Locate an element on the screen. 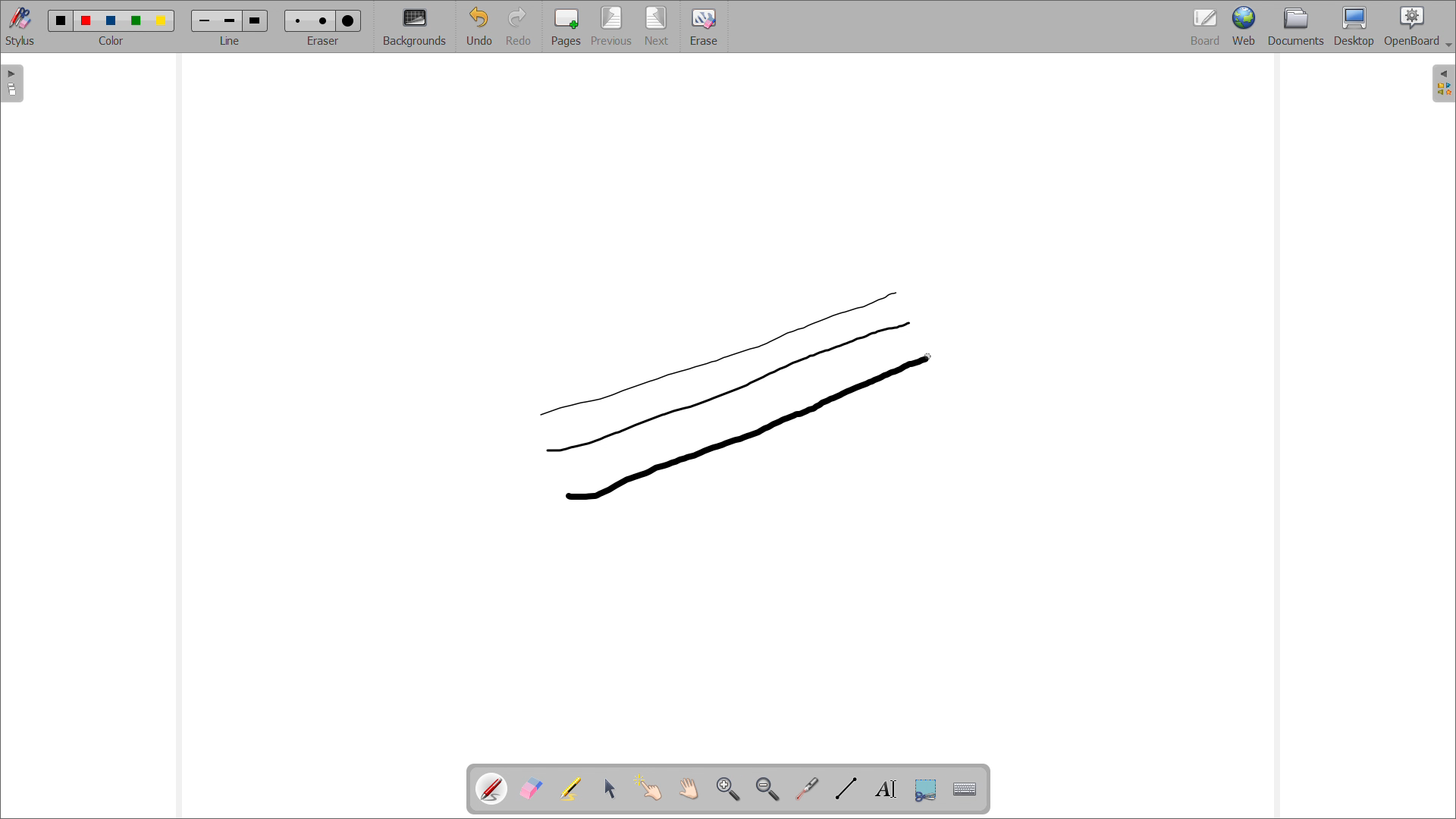 This screenshot has height=819, width=1456. backgrounds is located at coordinates (415, 26).